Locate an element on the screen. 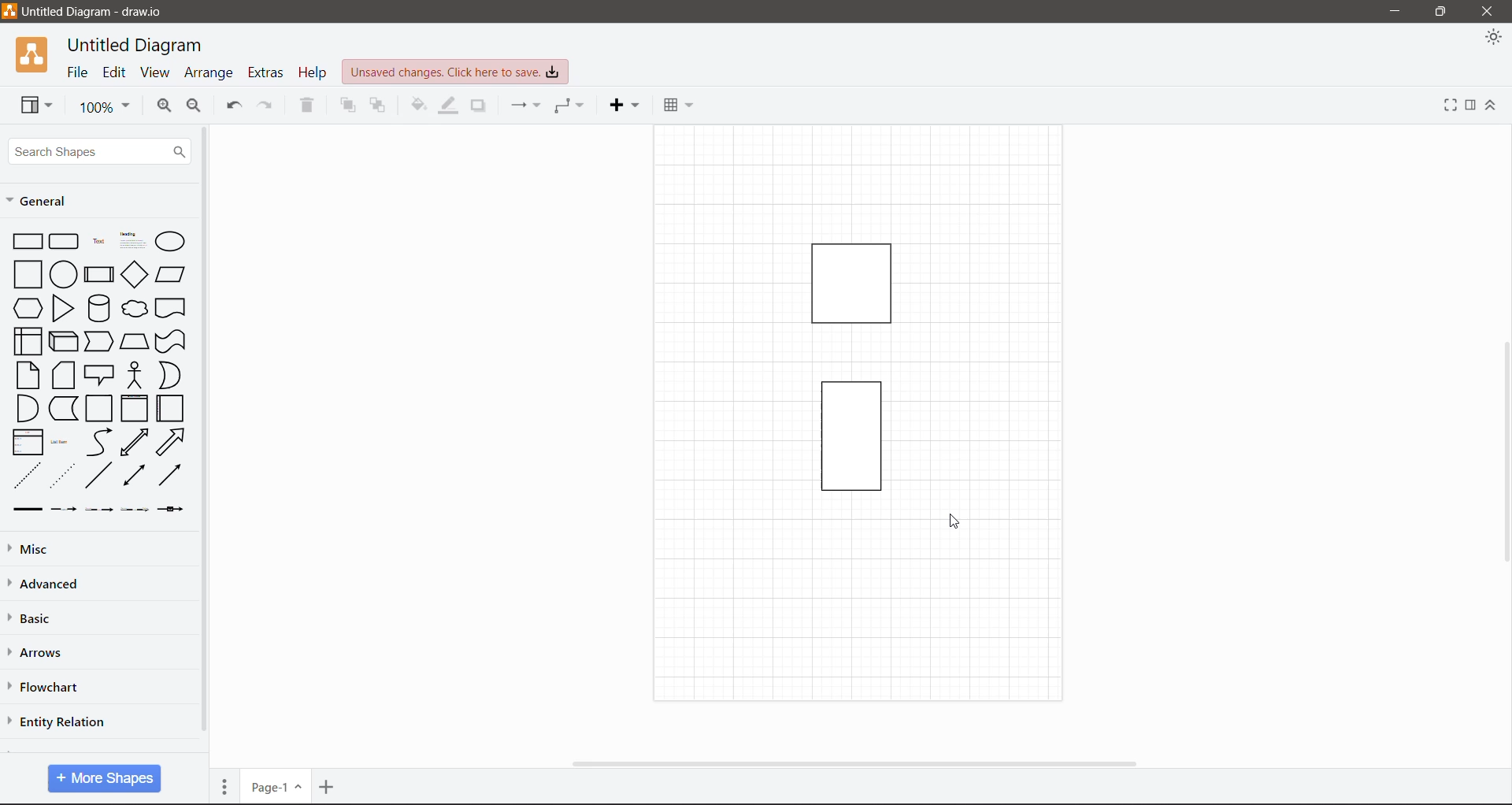 This screenshot has width=1512, height=805. Undo is located at coordinates (234, 106).